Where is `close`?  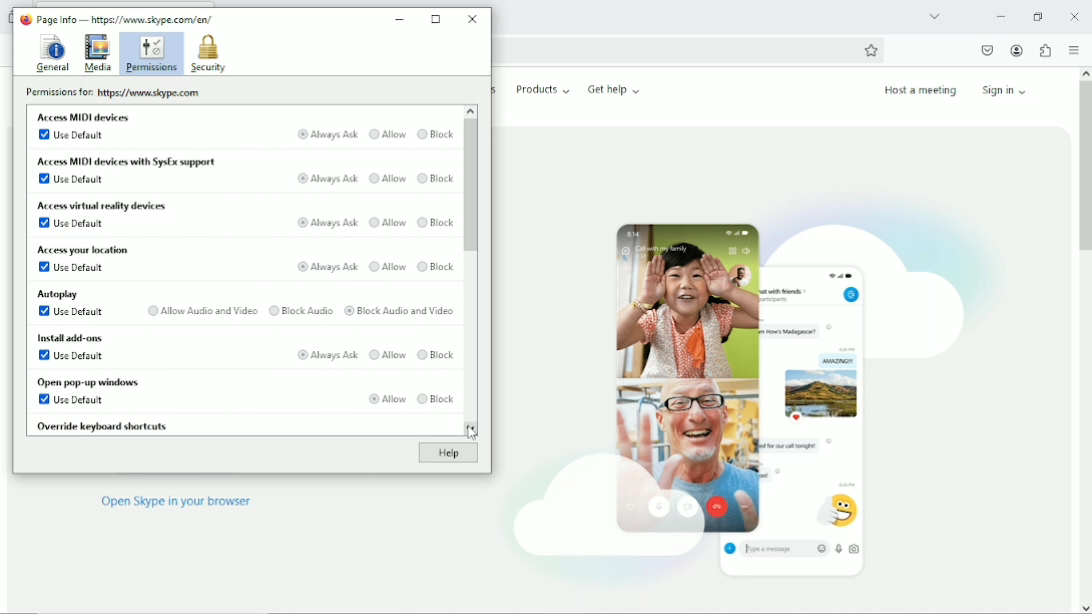
close is located at coordinates (1075, 16).